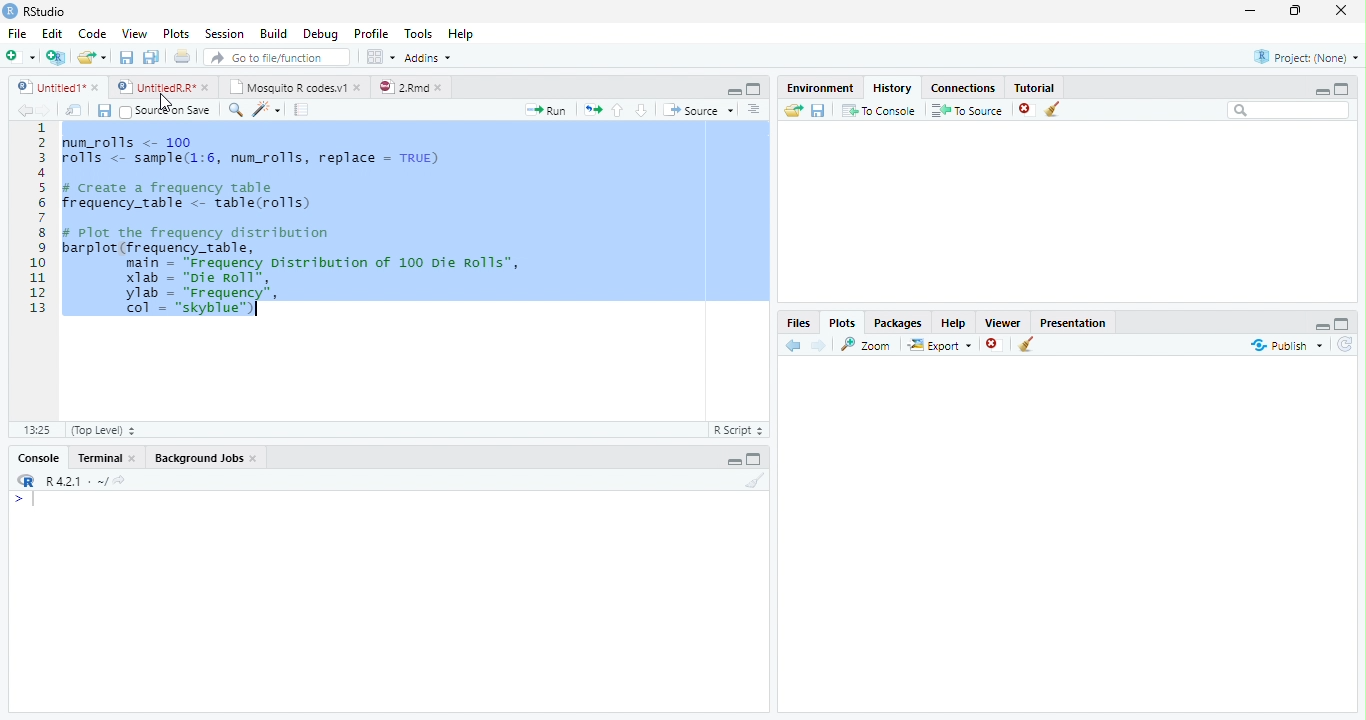  Describe the element at coordinates (386, 601) in the screenshot. I see `Console` at that location.